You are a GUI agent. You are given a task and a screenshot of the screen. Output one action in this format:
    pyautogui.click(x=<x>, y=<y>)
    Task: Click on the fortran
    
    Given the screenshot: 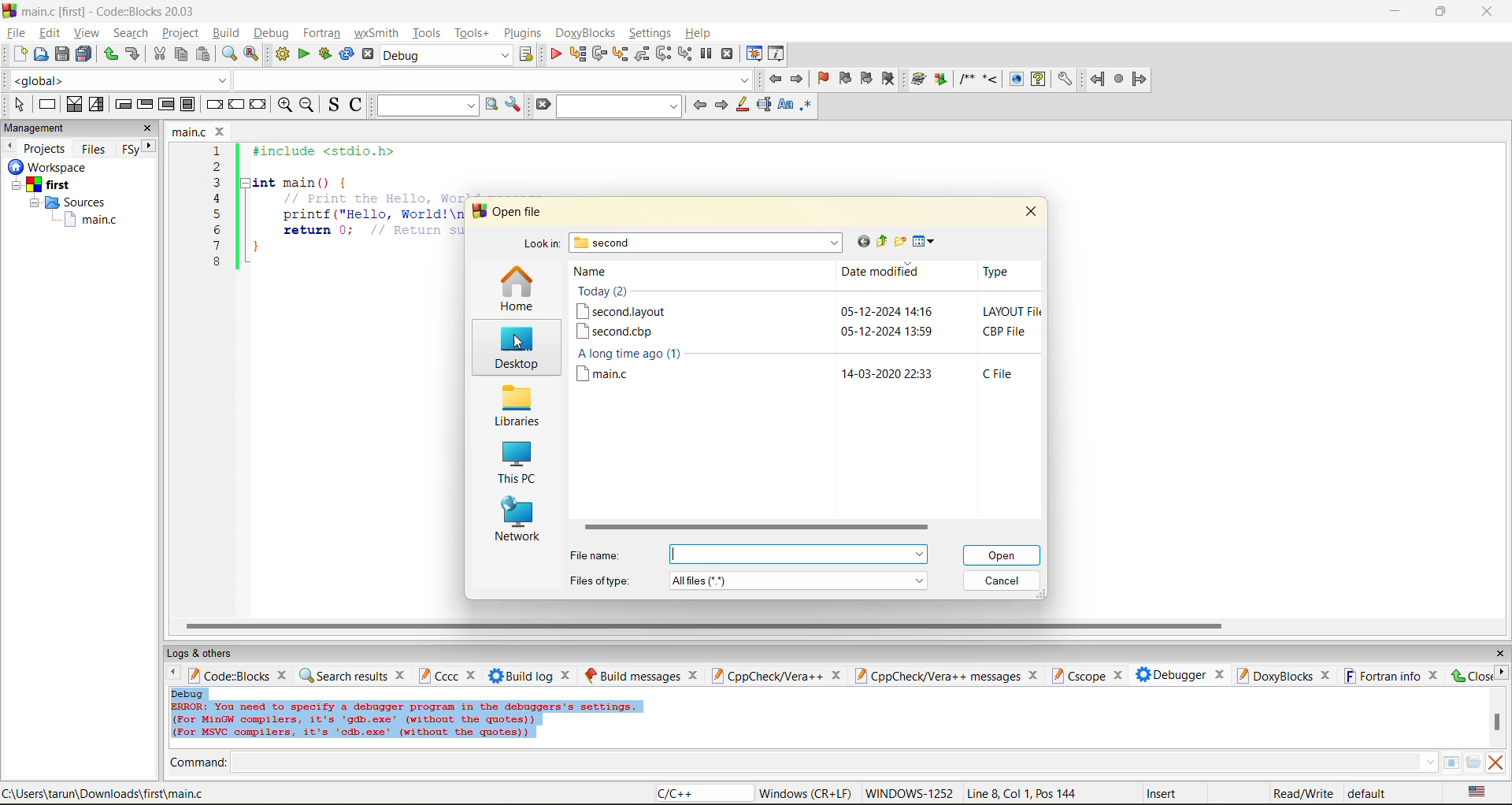 What is the action you would take?
    pyautogui.click(x=322, y=33)
    